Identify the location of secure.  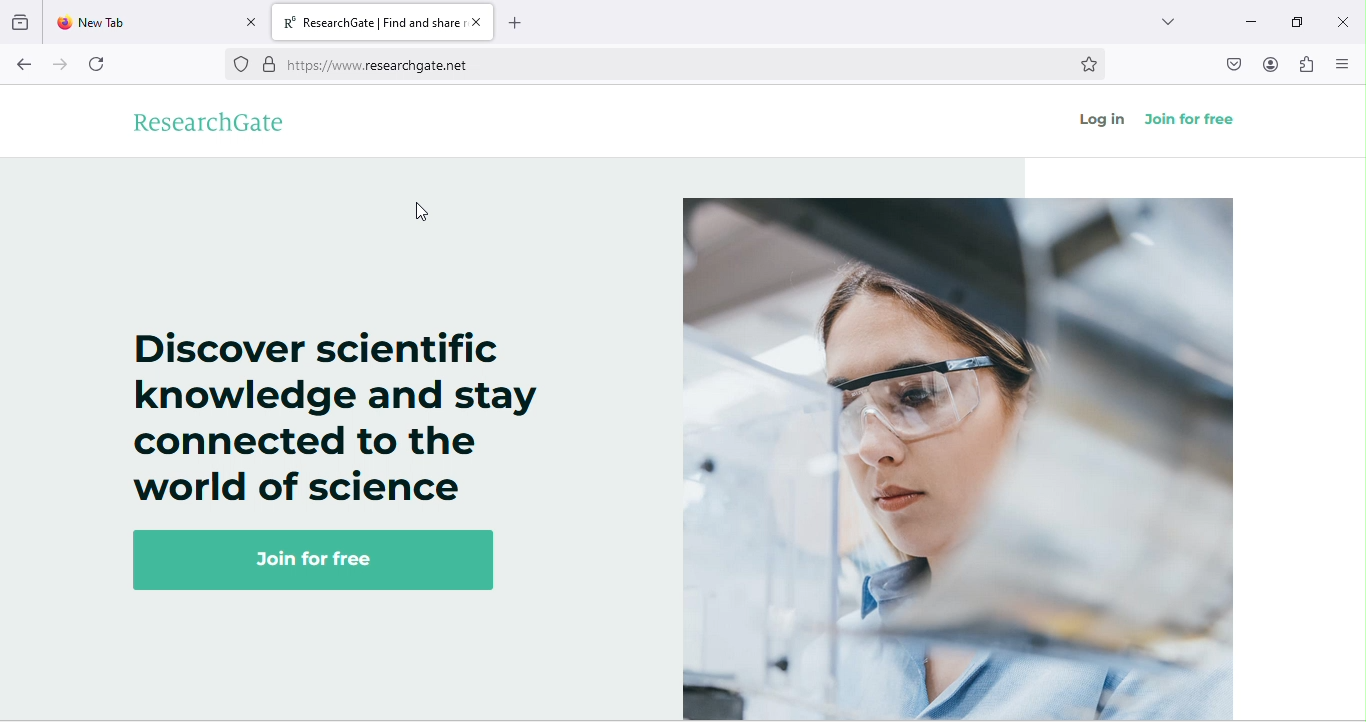
(268, 65).